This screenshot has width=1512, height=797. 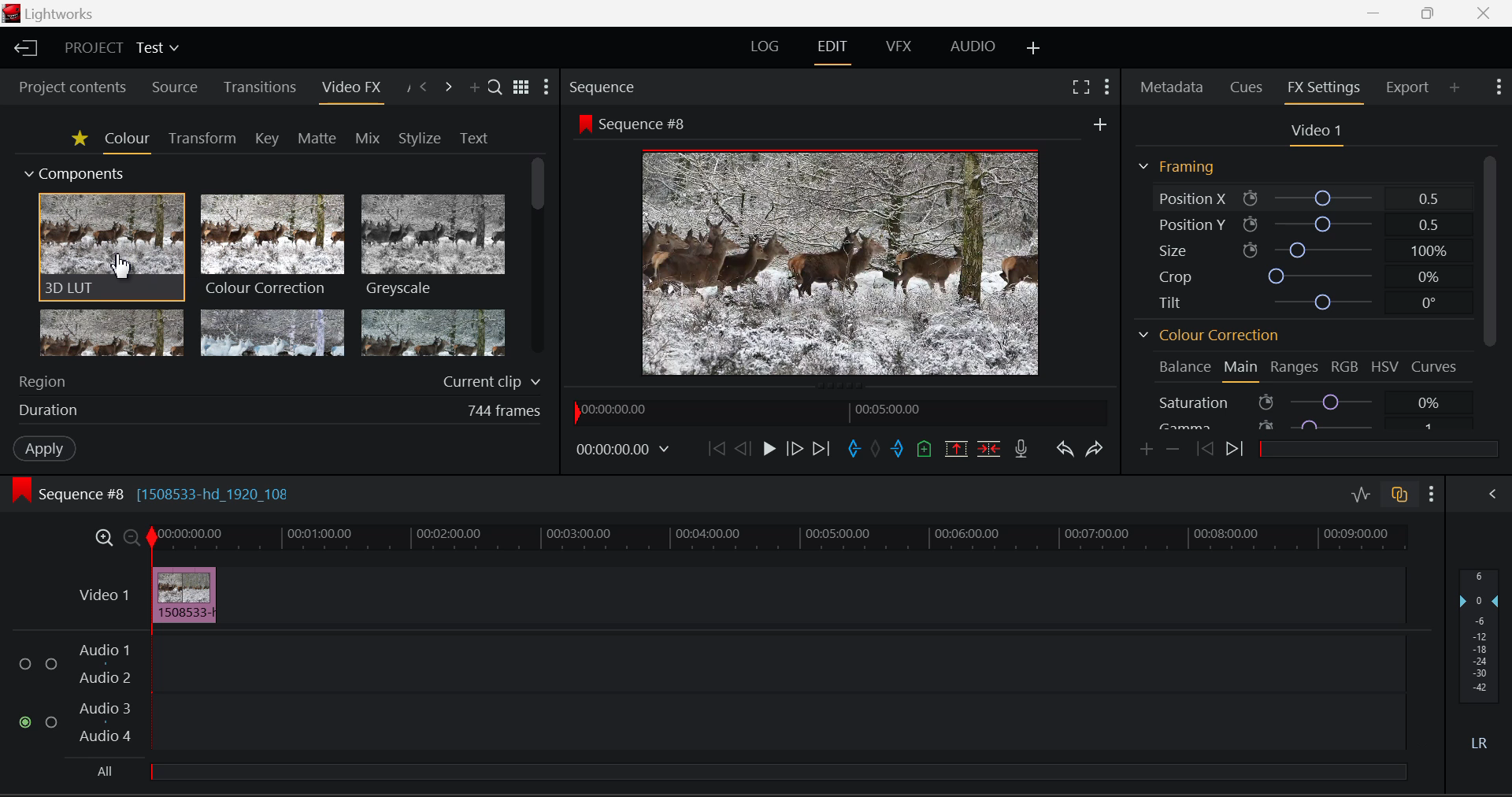 What do you see at coordinates (72, 89) in the screenshot?
I see `Project contents` at bounding box center [72, 89].